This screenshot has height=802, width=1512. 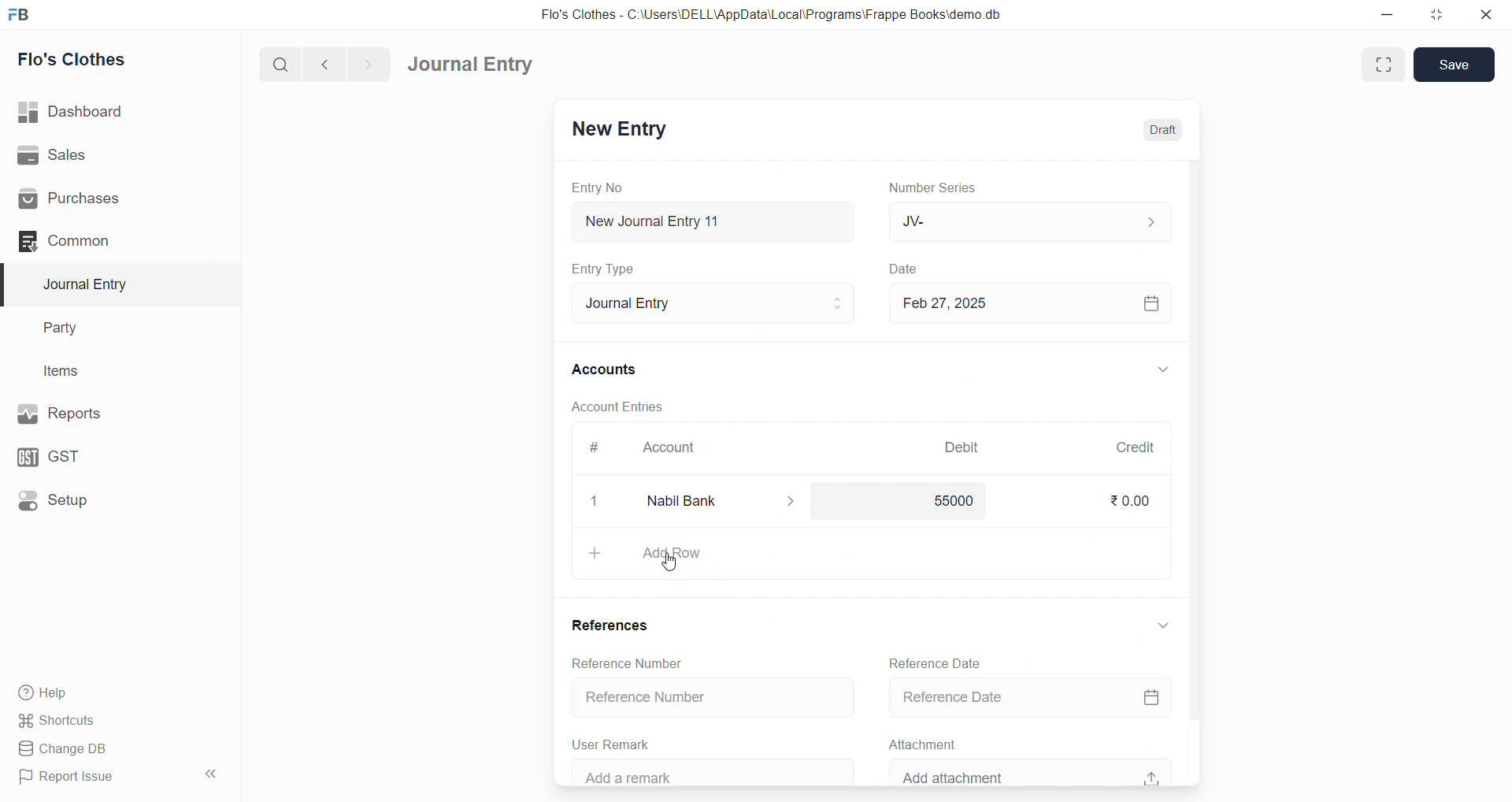 What do you see at coordinates (1137, 448) in the screenshot?
I see `Credit` at bounding box center [1137, 448].